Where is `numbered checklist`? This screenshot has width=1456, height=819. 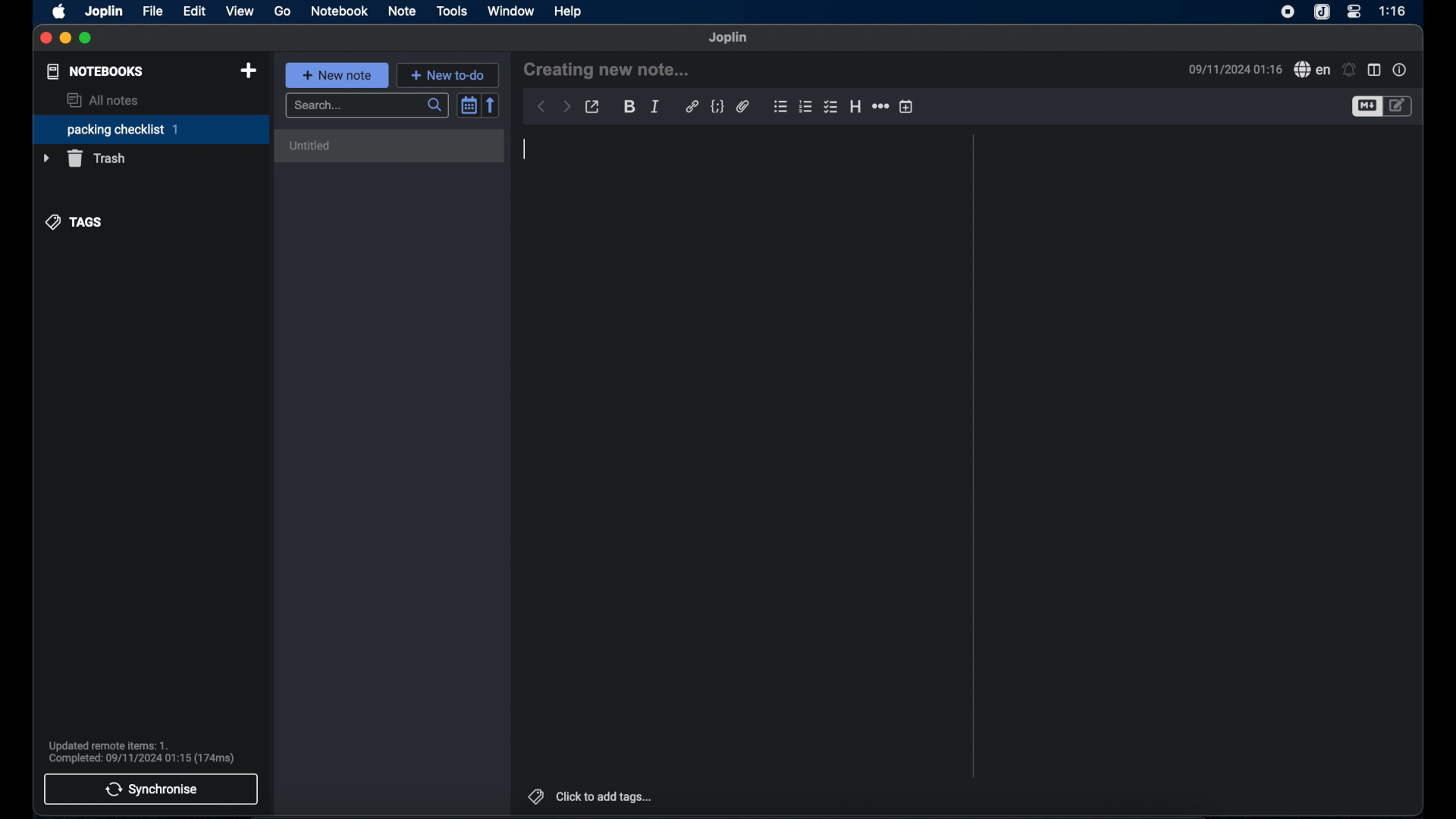
numbered checklist is located at coordinates (806, 108).